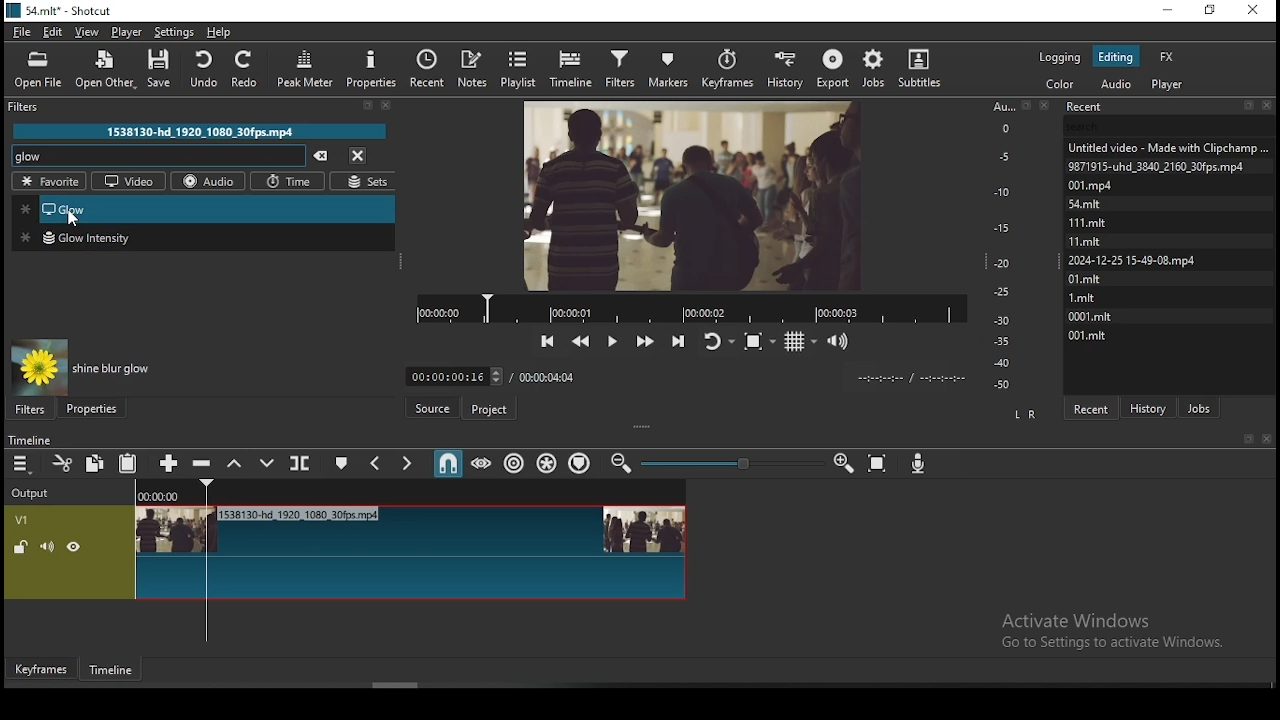 The image size is (1280, 720). Describe the element at coordinates (357, 155) in the screenshot. I see `close menu` at that location.